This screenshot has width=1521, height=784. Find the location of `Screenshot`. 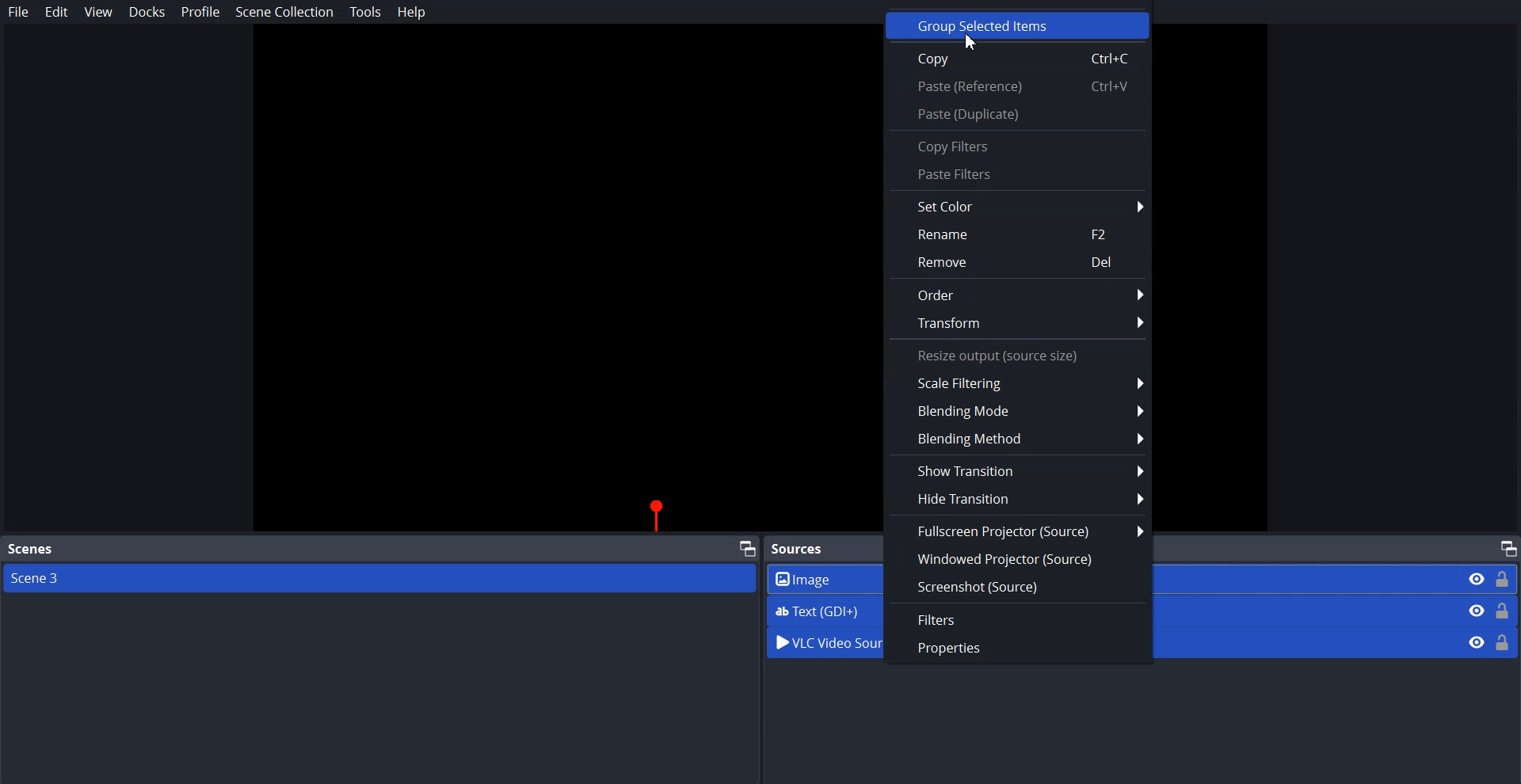

Screenshot is located at coordinates (1018, 585).